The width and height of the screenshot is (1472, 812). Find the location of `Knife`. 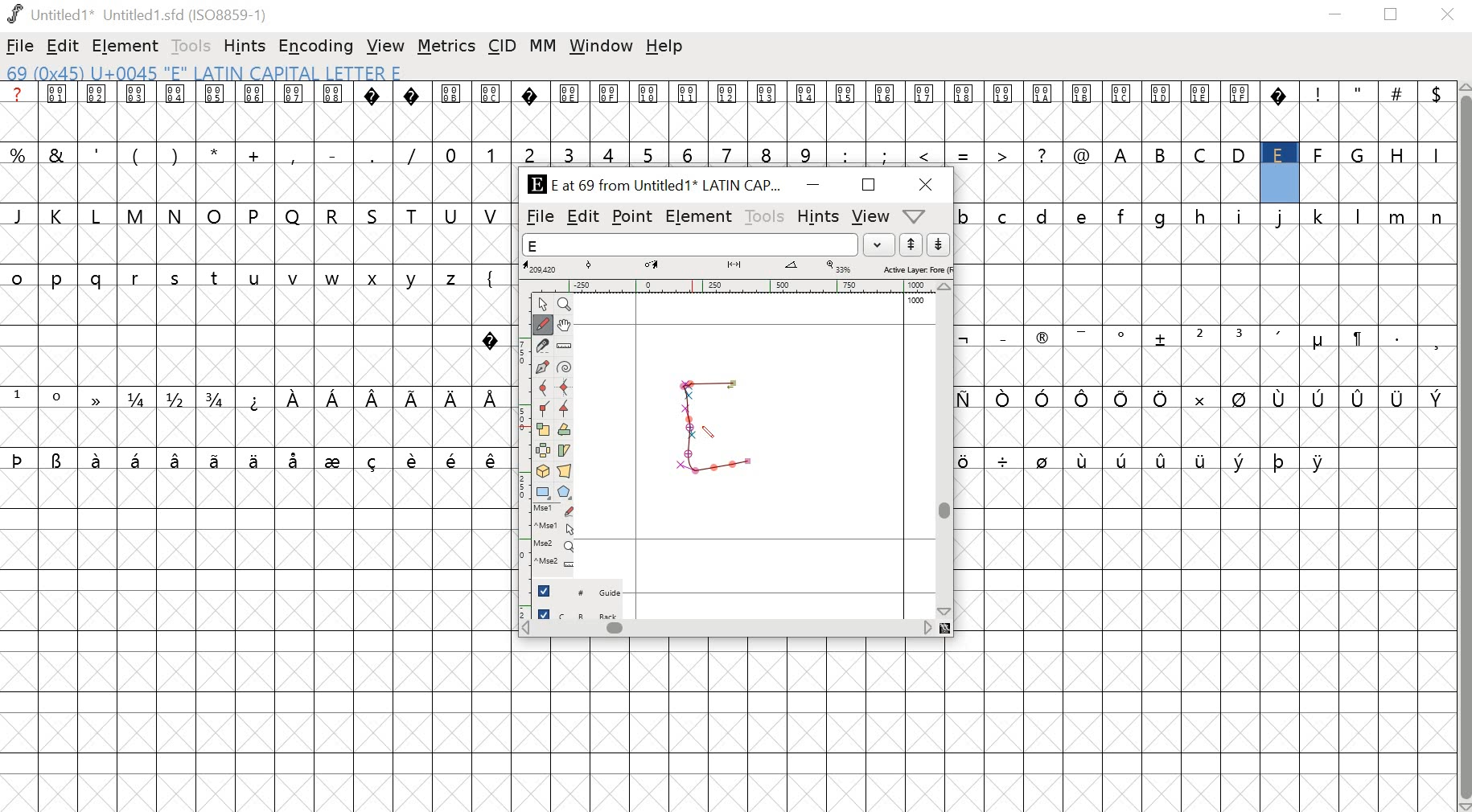

Knife is located at coordinates (544, 346).